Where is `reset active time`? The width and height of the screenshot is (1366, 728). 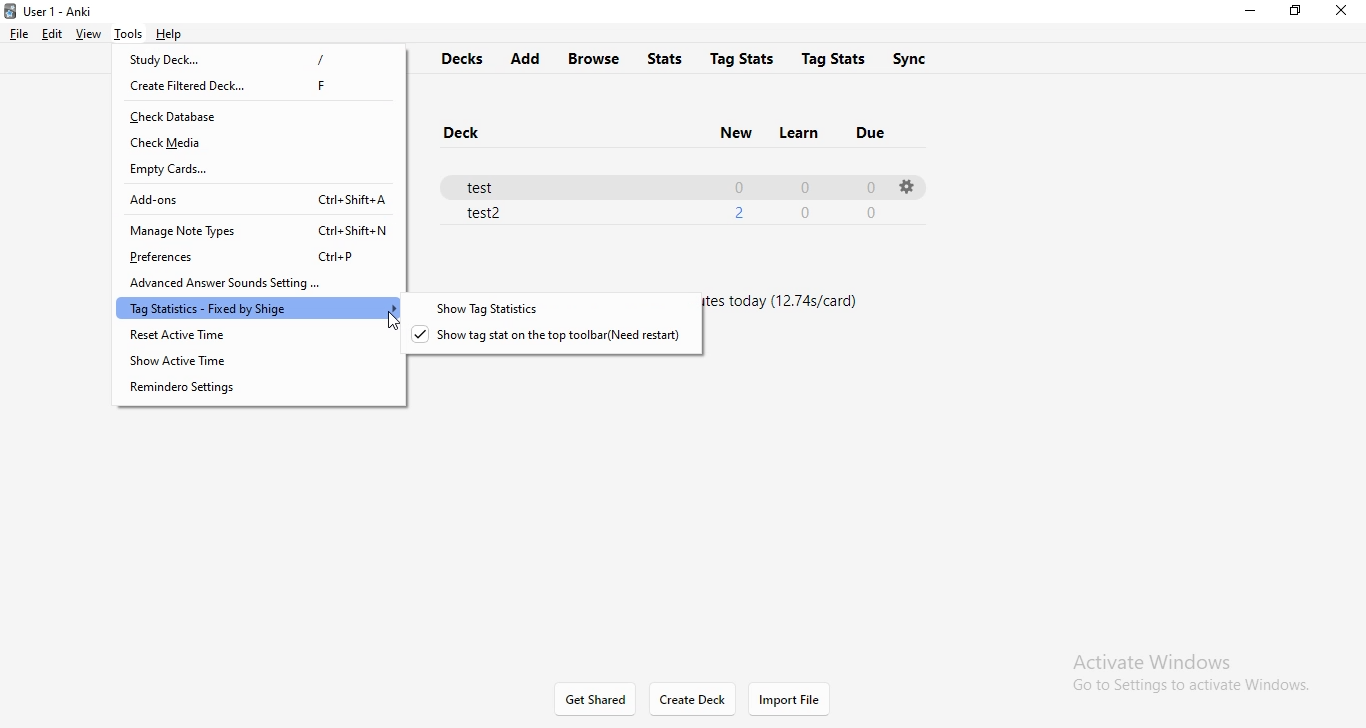 reset active time is located at coordinates (253, 336).